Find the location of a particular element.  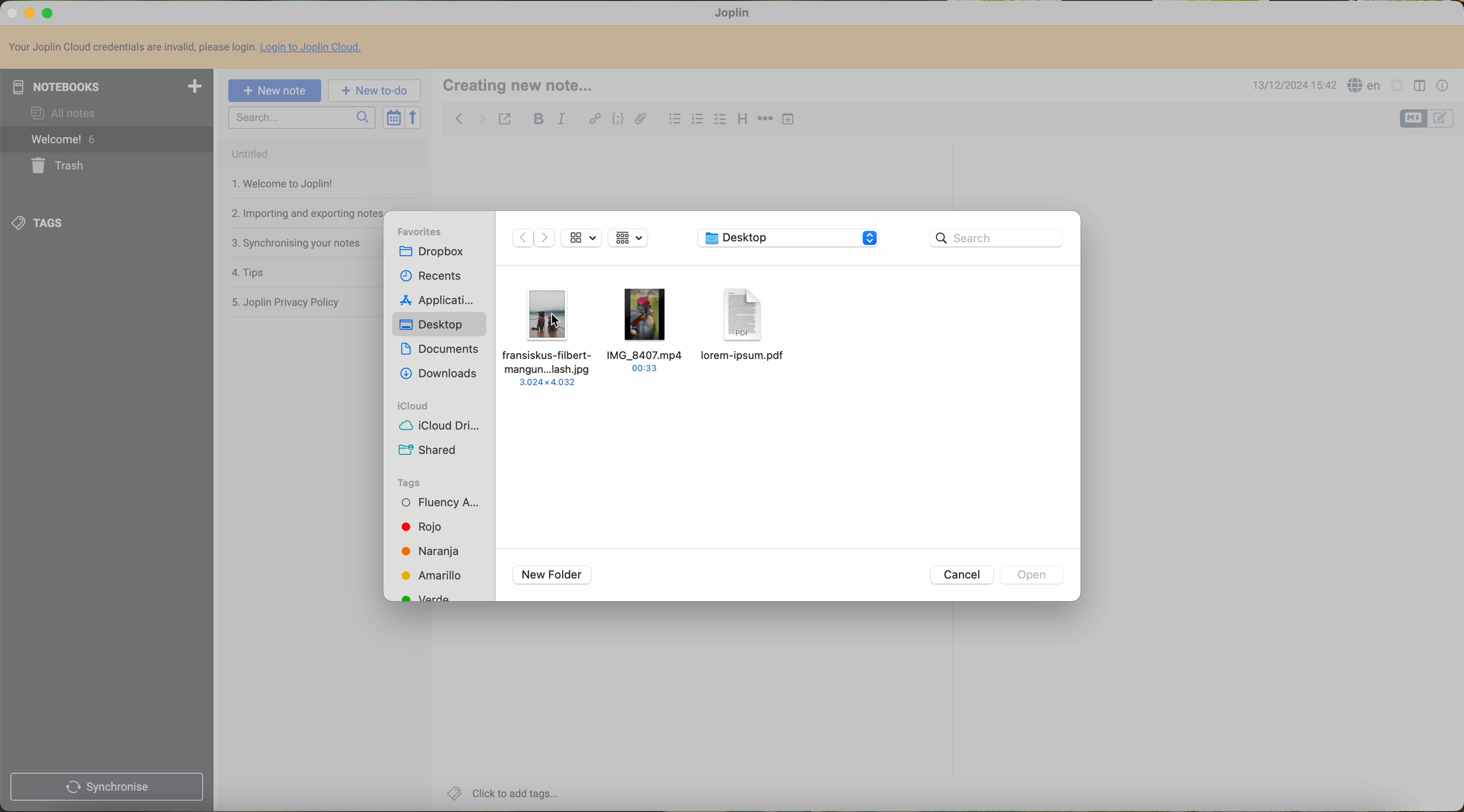

favorites is located at coordinates (421, 231).